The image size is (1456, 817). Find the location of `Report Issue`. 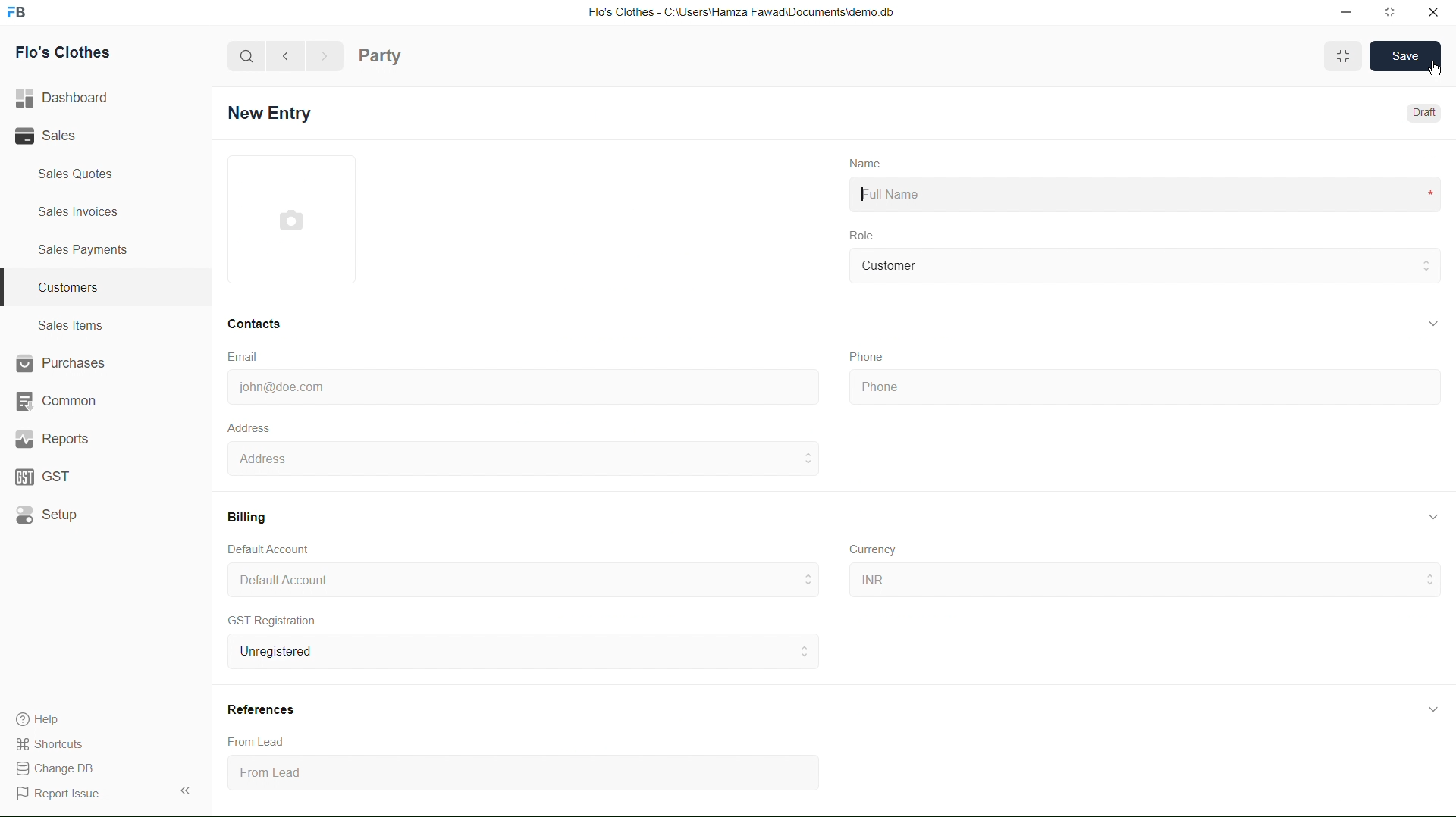

Report Issue is located at coordinates (58, 794).